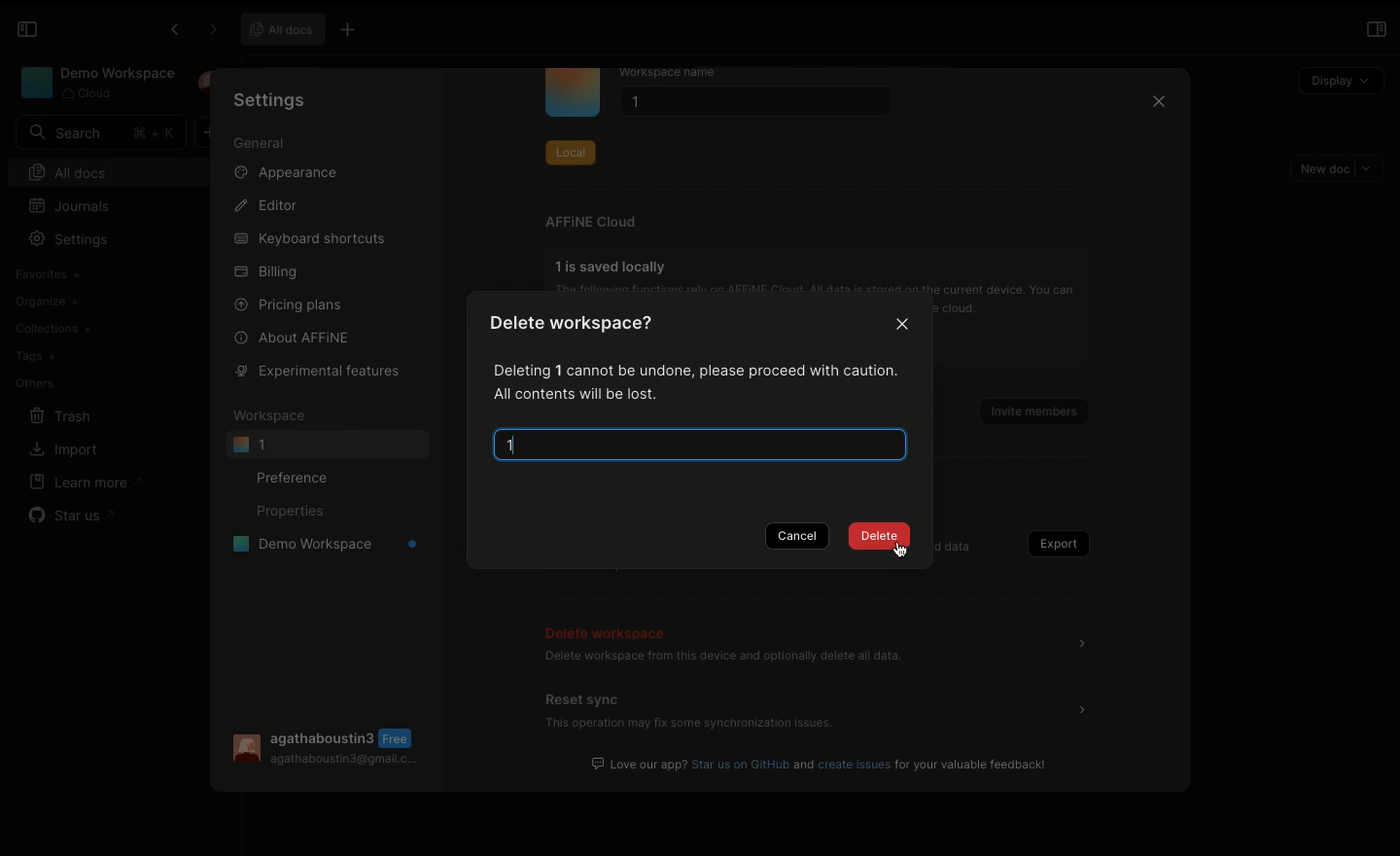 The image size is (1400, 856). Describe the element at coordinates (260, 144) in the screenshot. I see `General` at that location.